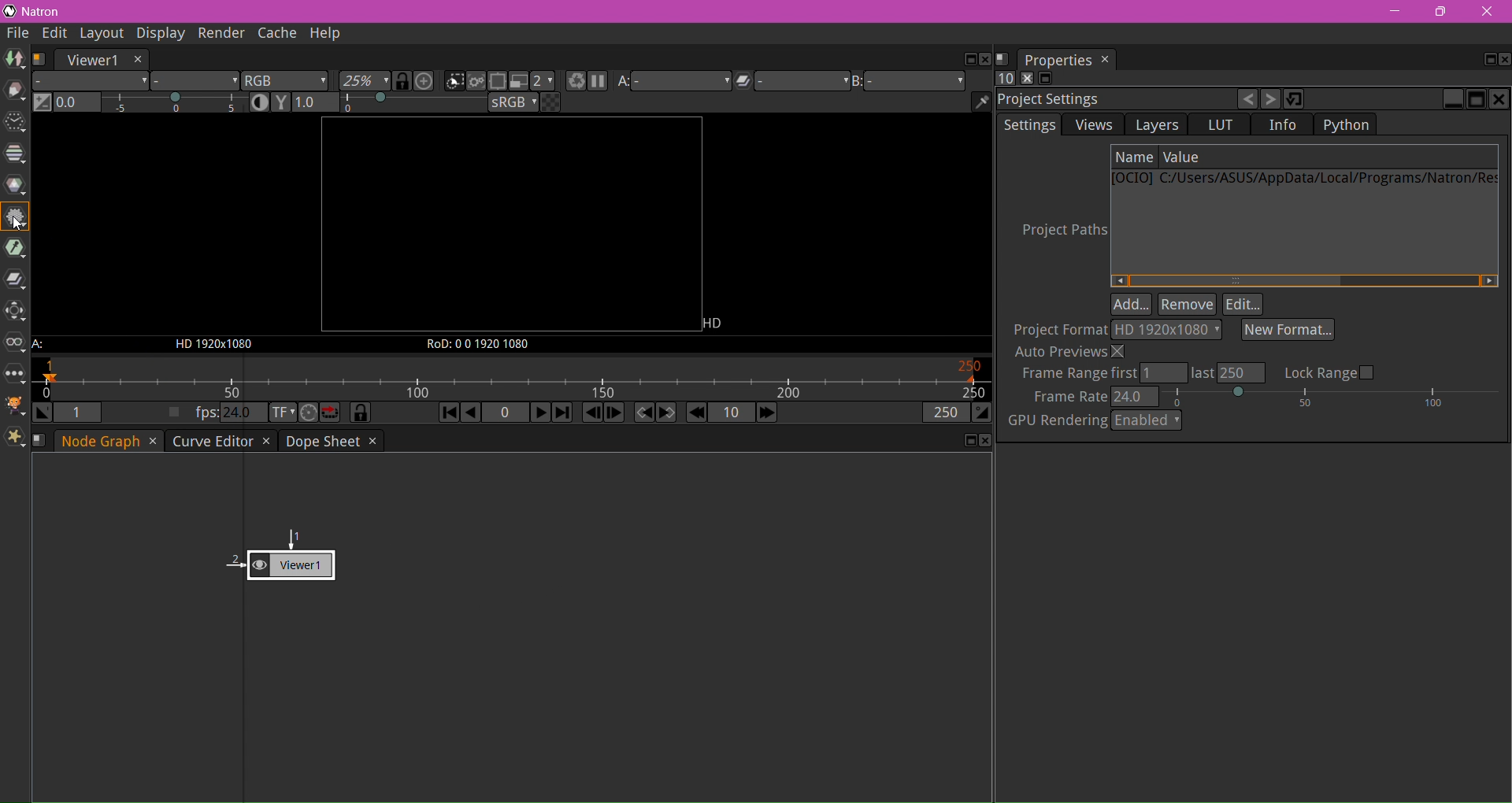 The height and width of the screenshot is (803, 1512). What do you see at coordinates (18, 34) in the screenshot?
I see `File` at bounding box center [18, 34].